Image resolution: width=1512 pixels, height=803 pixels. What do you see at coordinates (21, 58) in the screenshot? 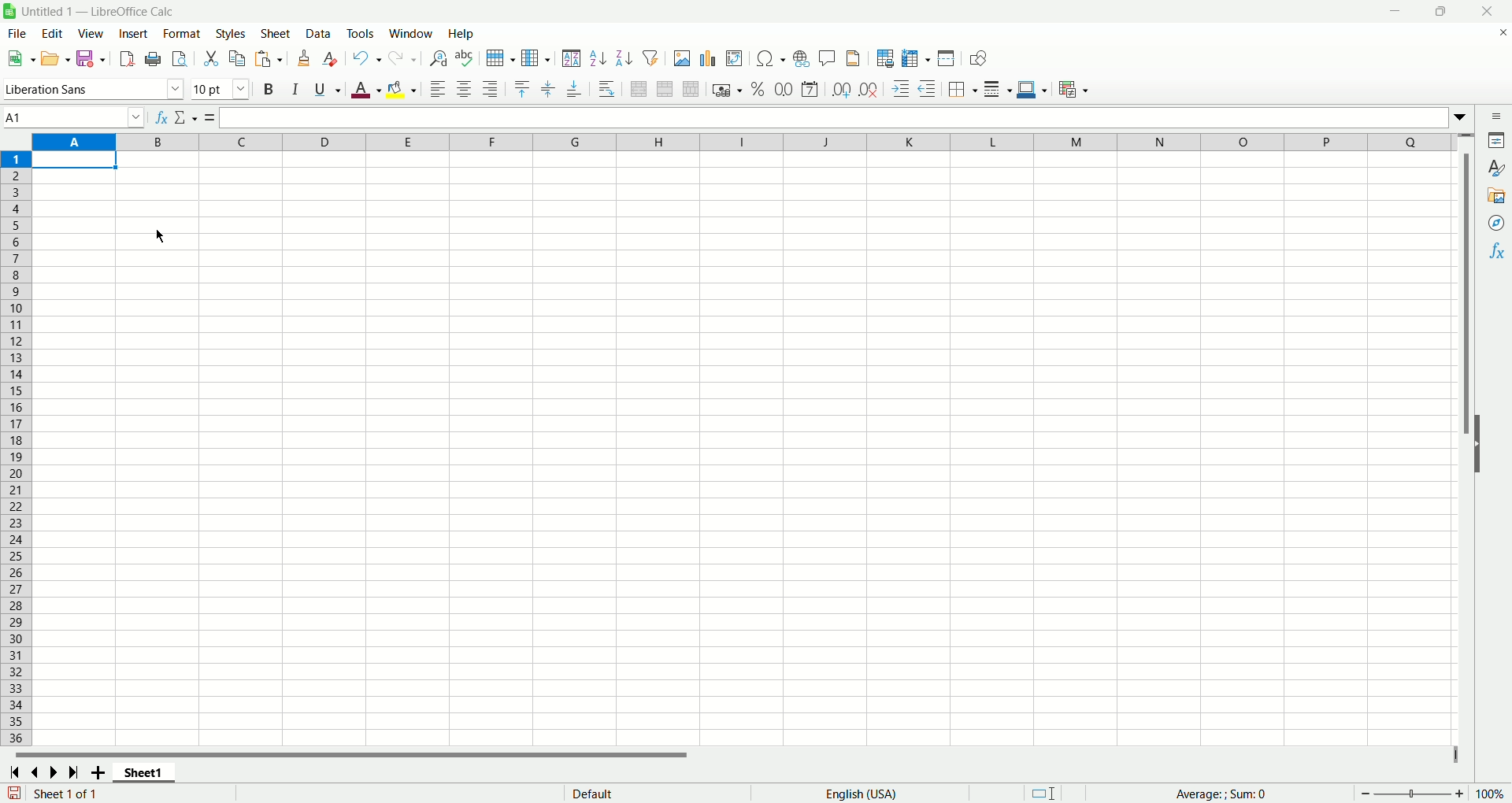
I see `new` at bounding box center [21, 58].